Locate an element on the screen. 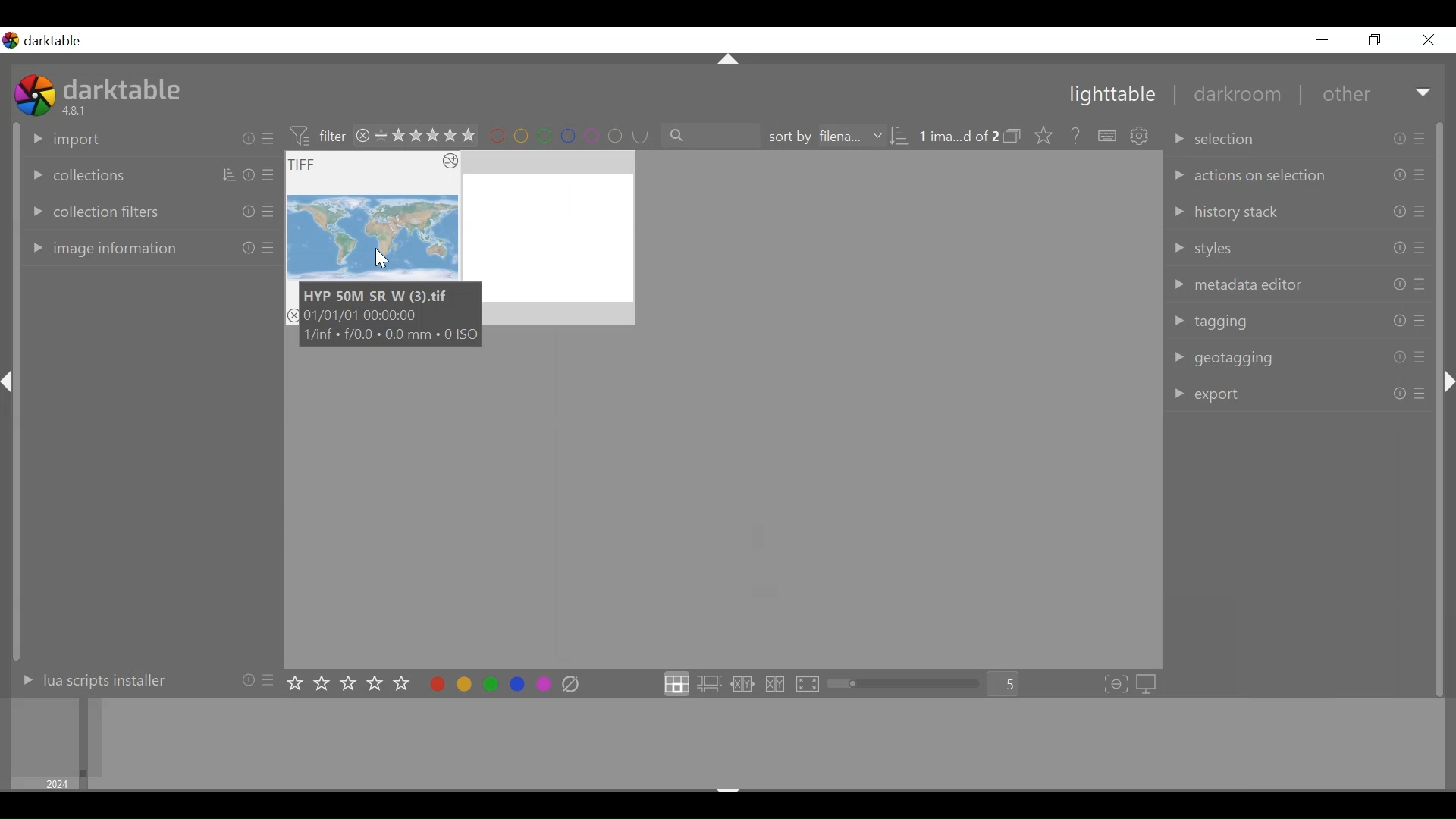  Lightable is located at coordinates (1105, 93).